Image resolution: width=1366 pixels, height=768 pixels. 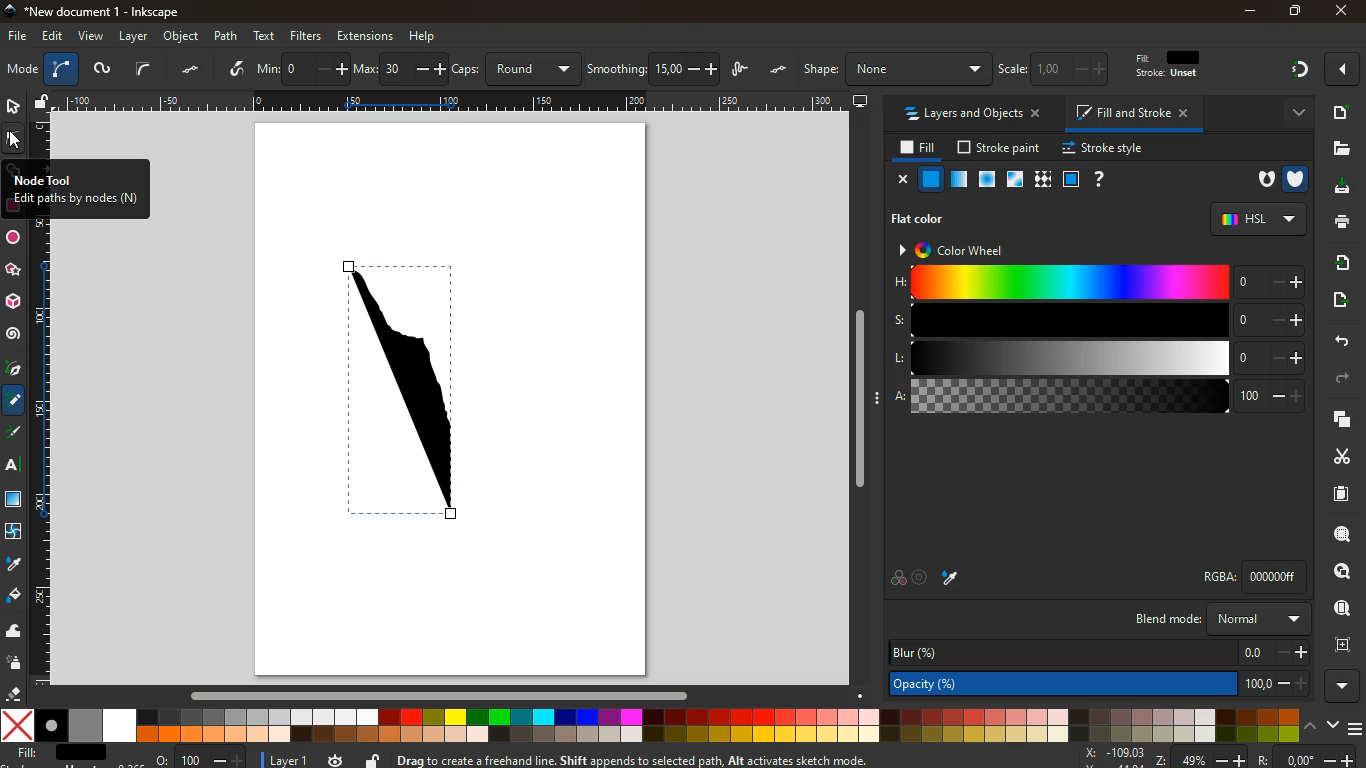 What do you see at coordinates (15, 400) in the screenshot?
I see `pencil took` at bounding box center [15, 400].